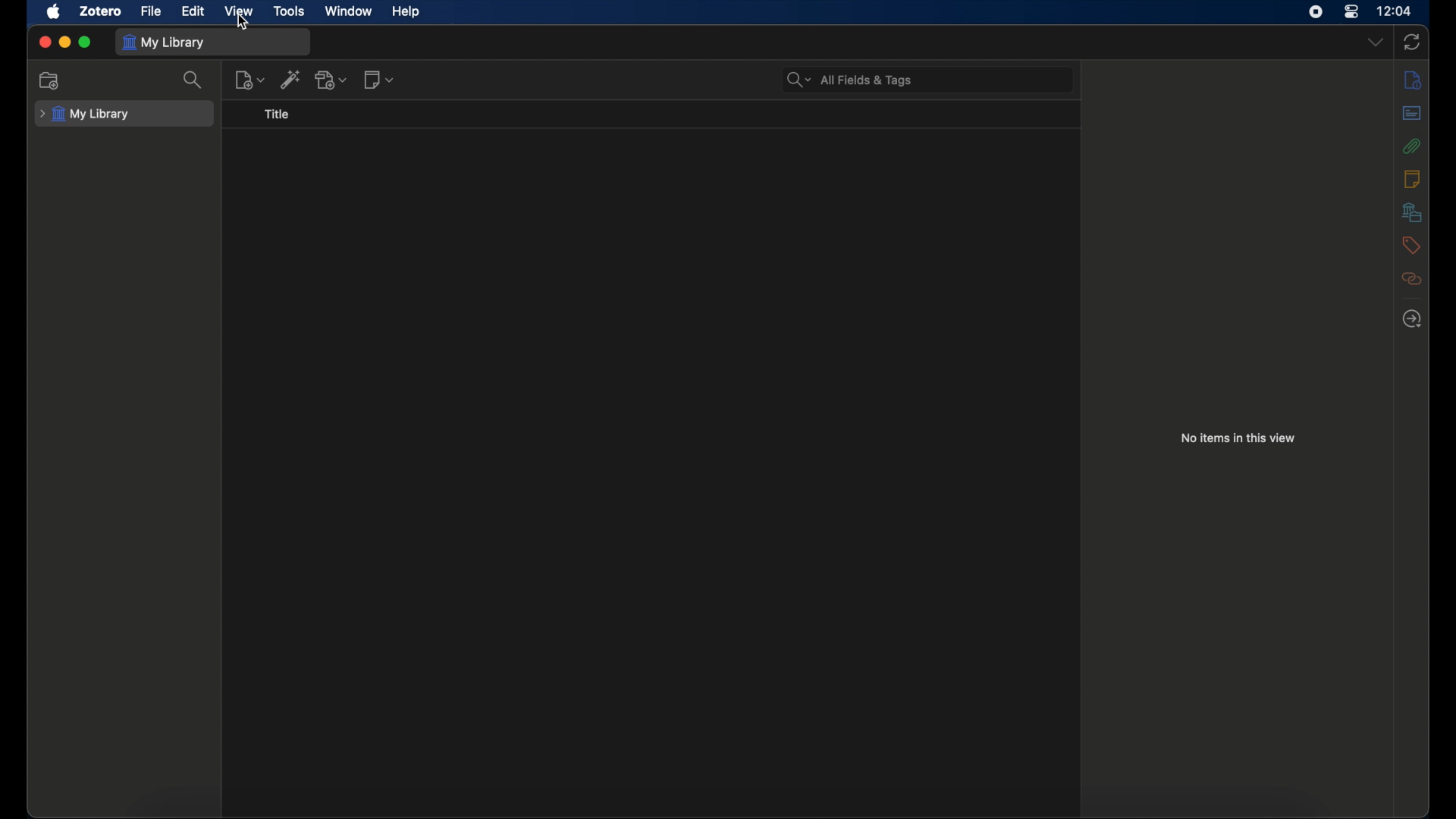  I want to click on tags, so click(1410, 244).